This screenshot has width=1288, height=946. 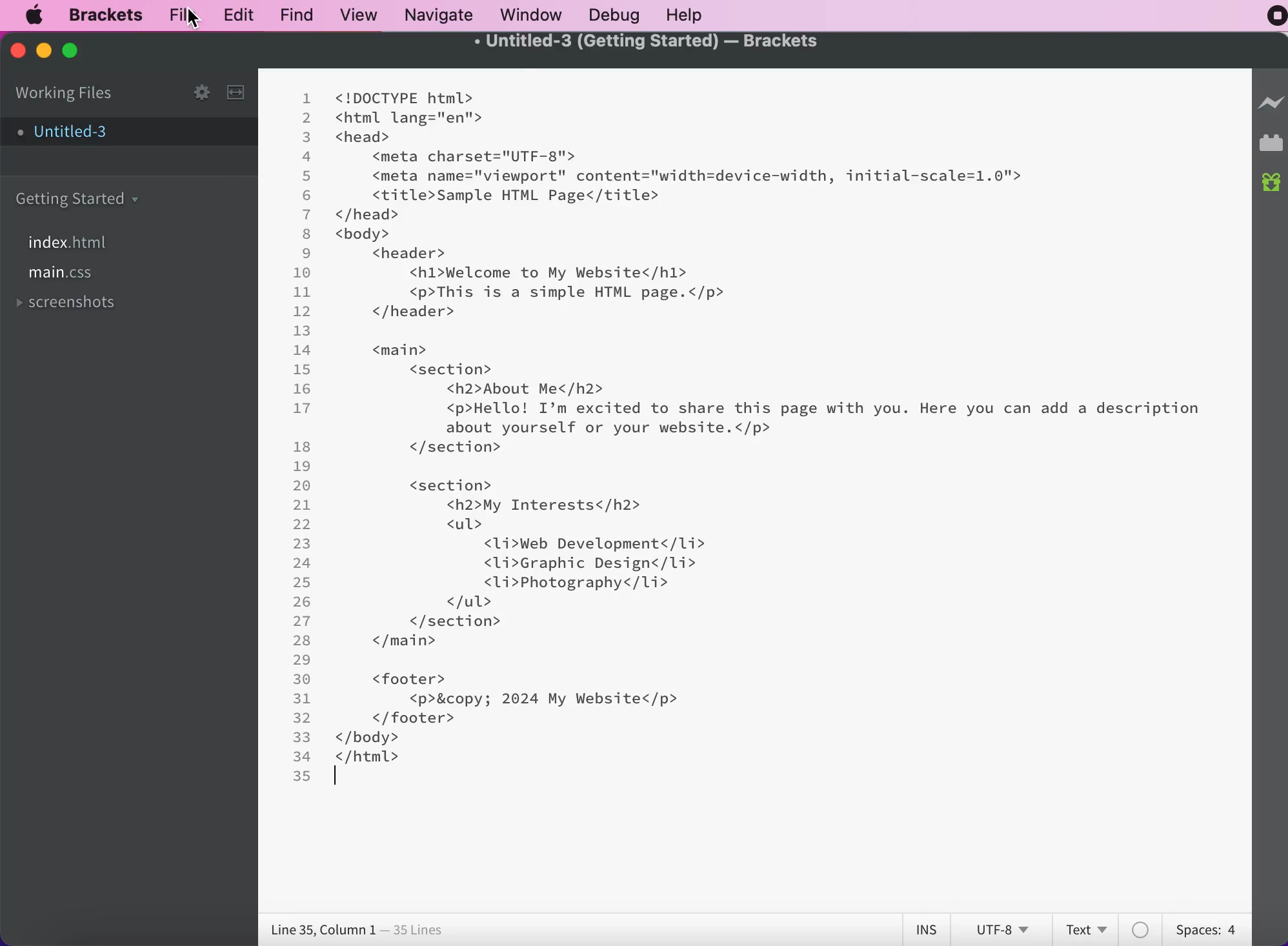 What do you see at coordinates (306, 176) in the screenshot?
I see `5` at bounding box center [306, 176].